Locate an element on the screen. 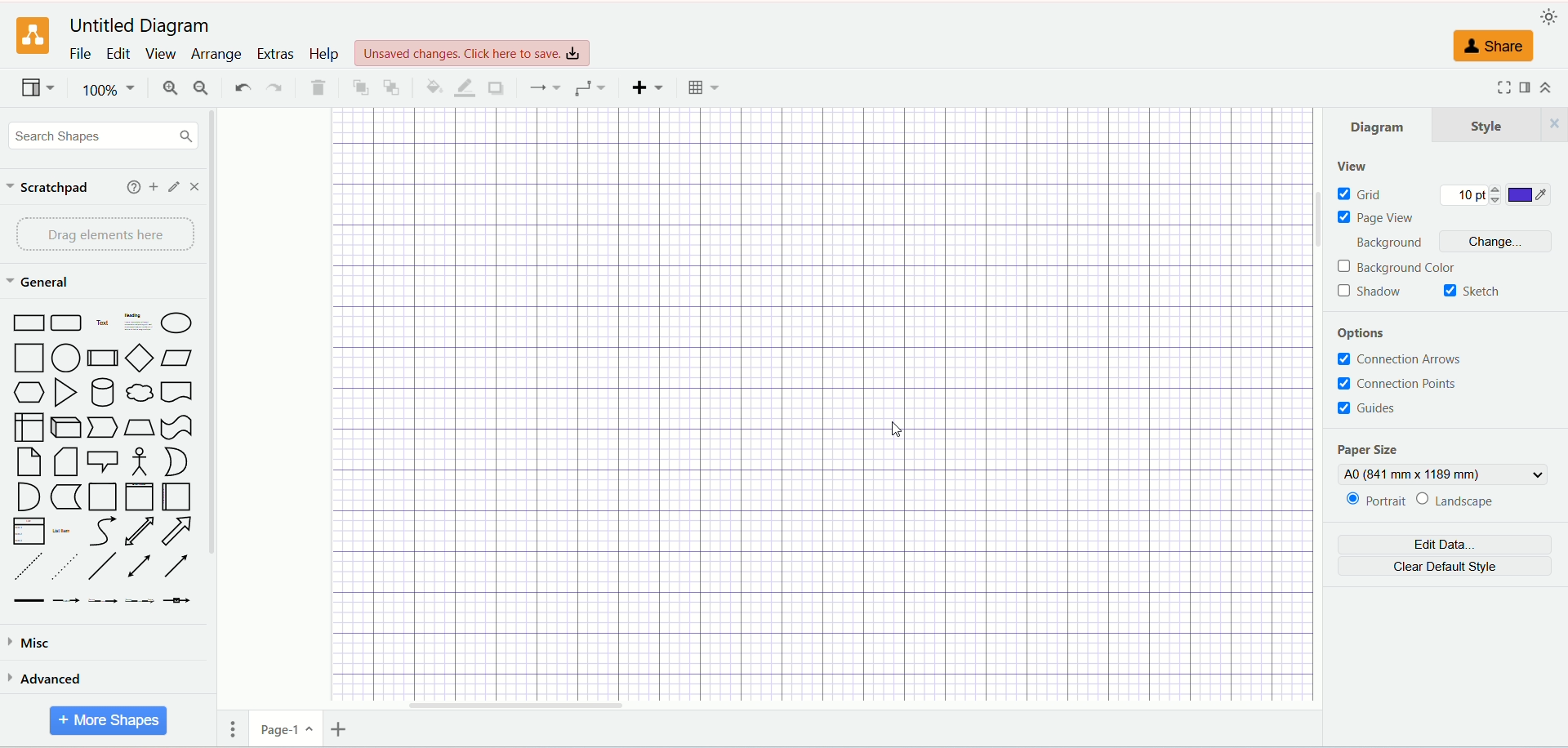  Note is located at coordinates (29, 463).